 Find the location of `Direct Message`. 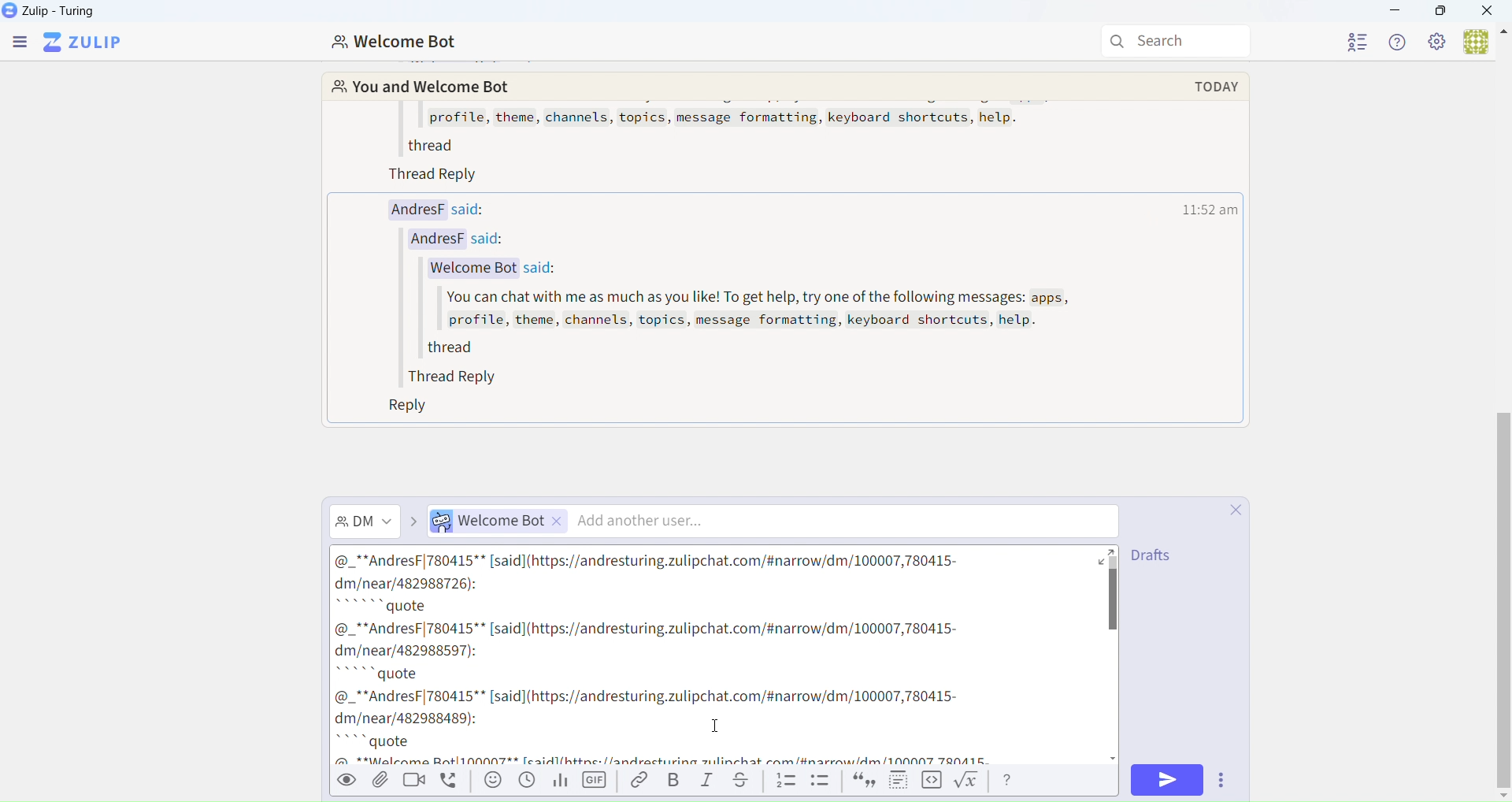

Direct Message is located at coordinates (765, 521).